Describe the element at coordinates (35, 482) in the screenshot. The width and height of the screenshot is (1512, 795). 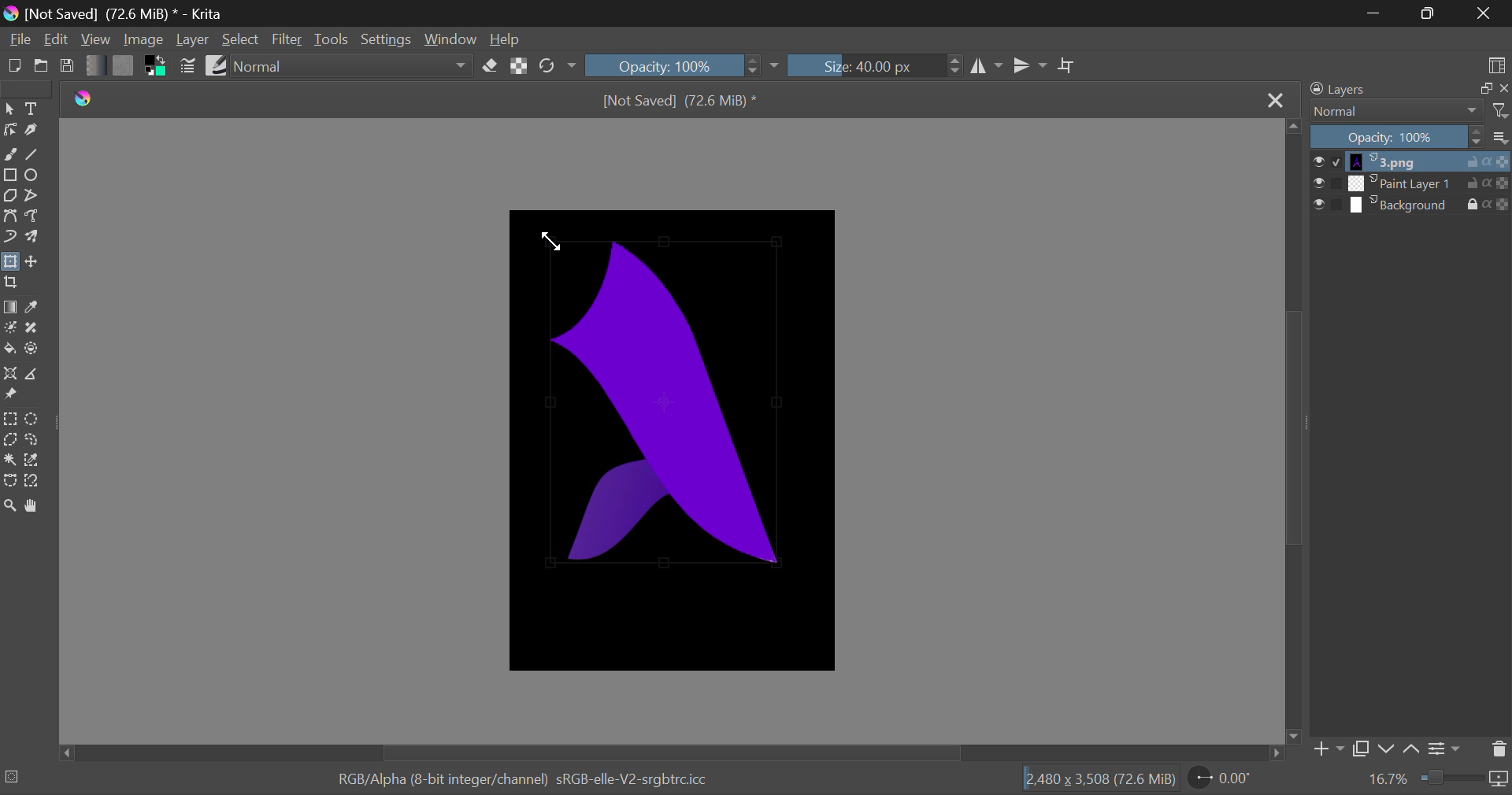
I see `Magnetic Curve Selection` at that location.